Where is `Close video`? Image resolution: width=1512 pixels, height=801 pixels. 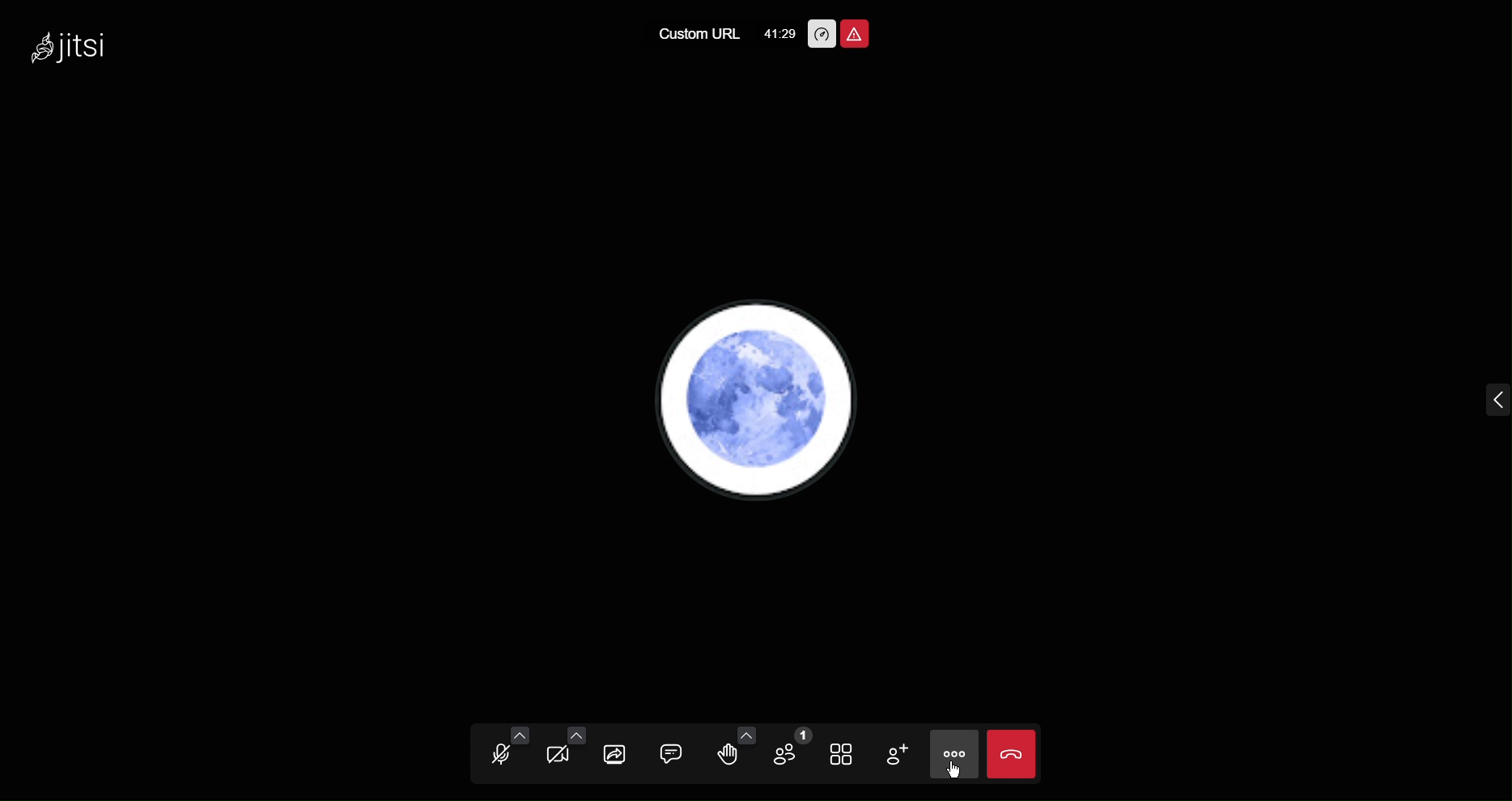
Close video is located at coordinates (1013, 753).